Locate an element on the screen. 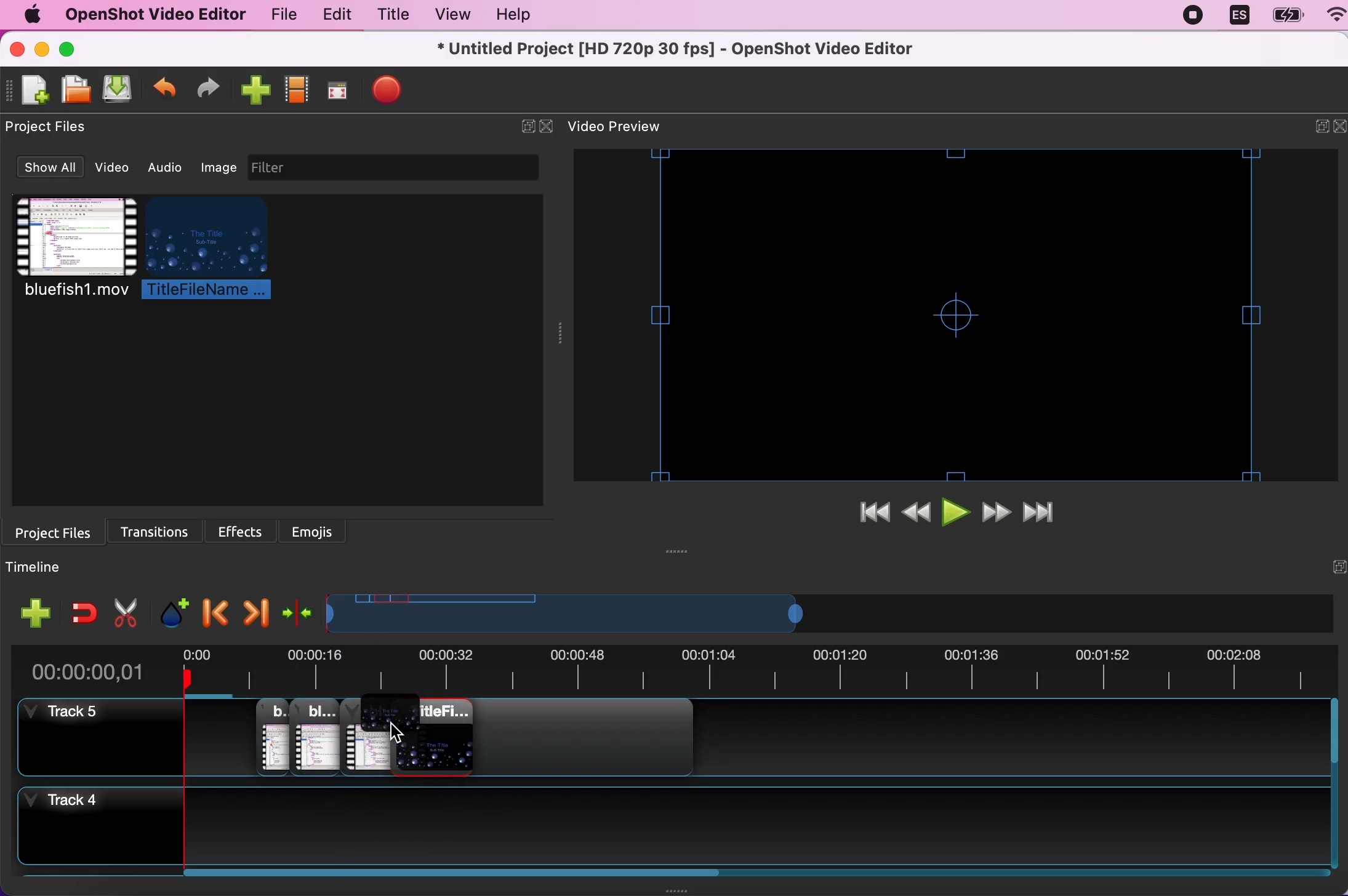  track 4 is located at coordinates (772, 833).